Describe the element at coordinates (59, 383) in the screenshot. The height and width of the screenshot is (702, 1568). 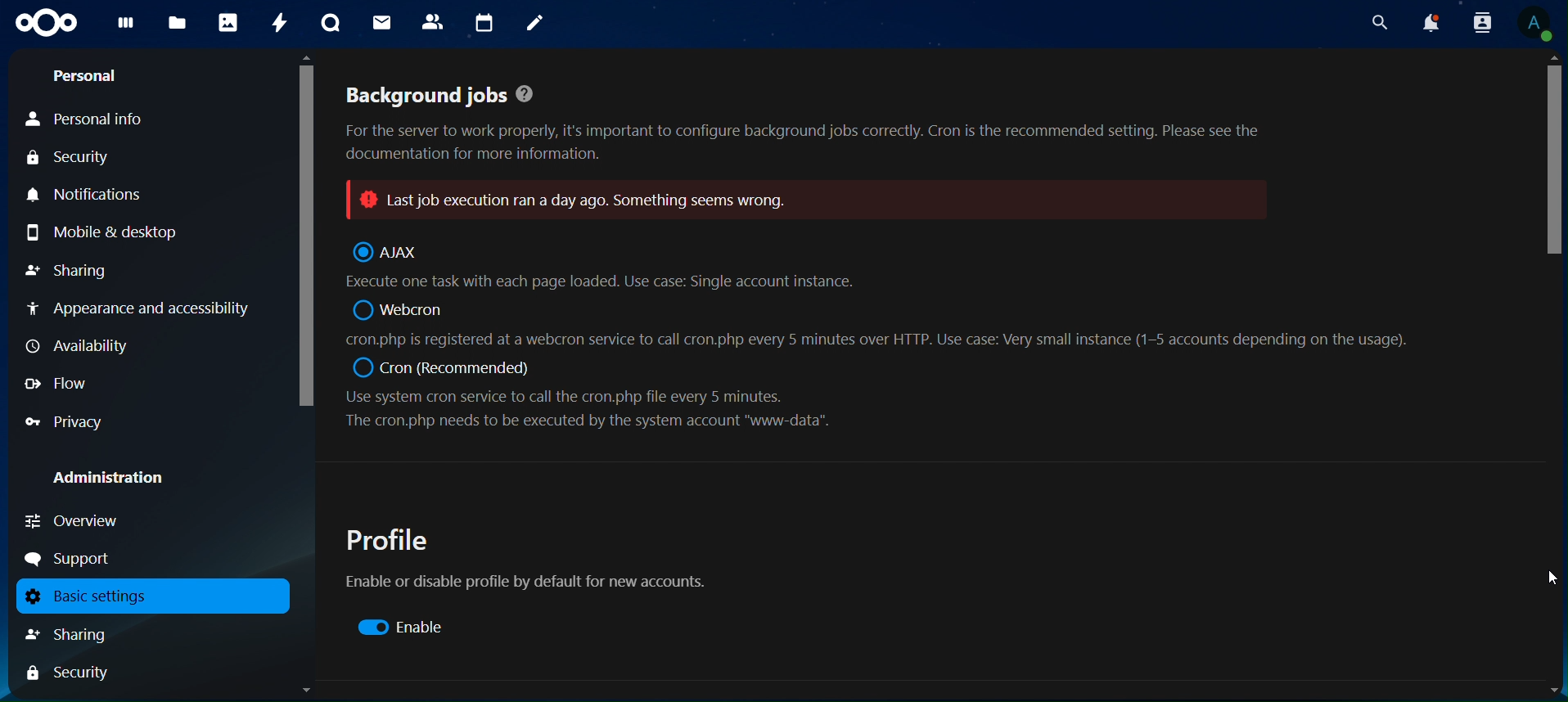
I see `flow` at that location.